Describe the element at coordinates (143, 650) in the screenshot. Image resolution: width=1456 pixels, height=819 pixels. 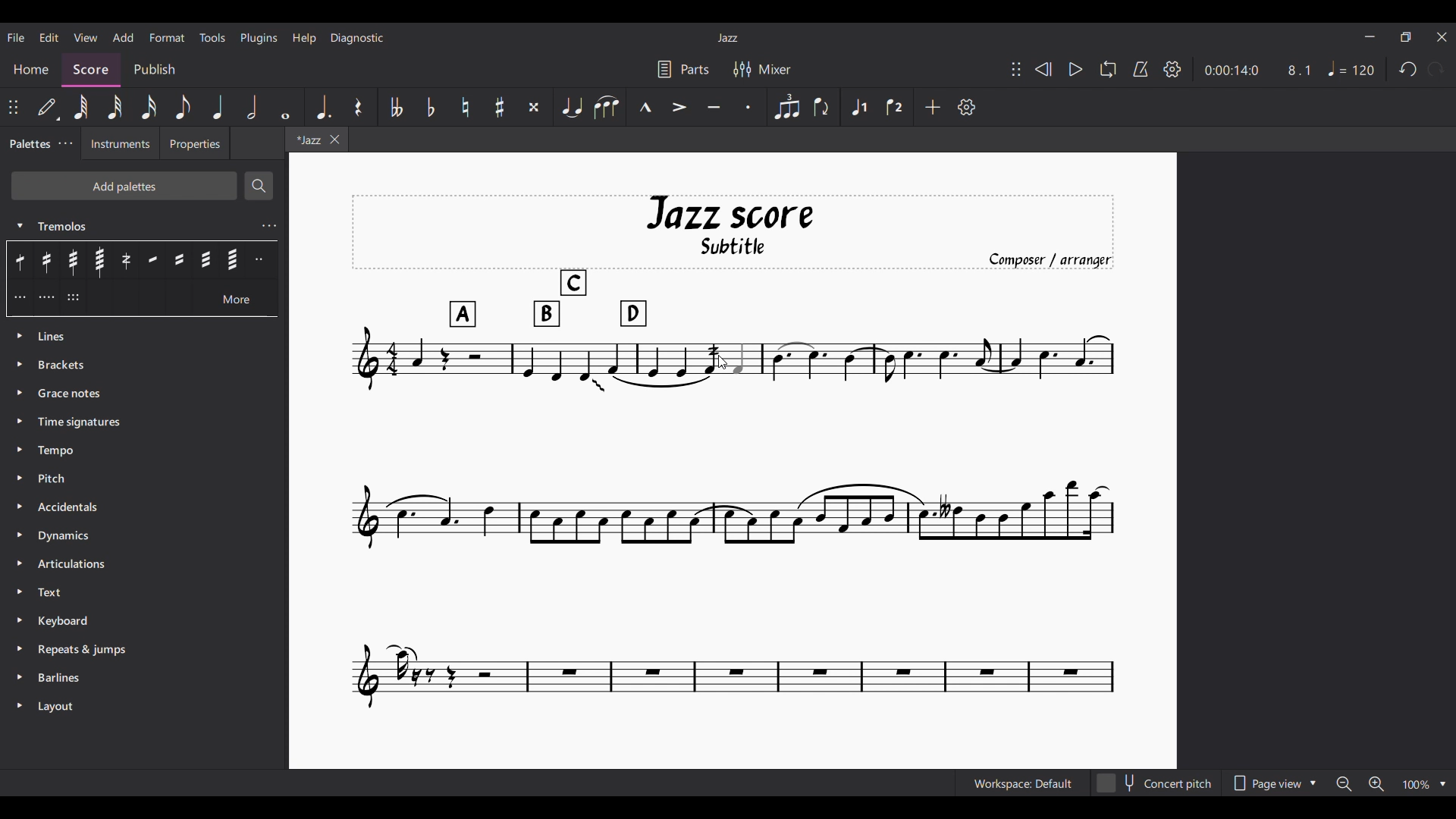
I see `Repeats and jumps` at that location.